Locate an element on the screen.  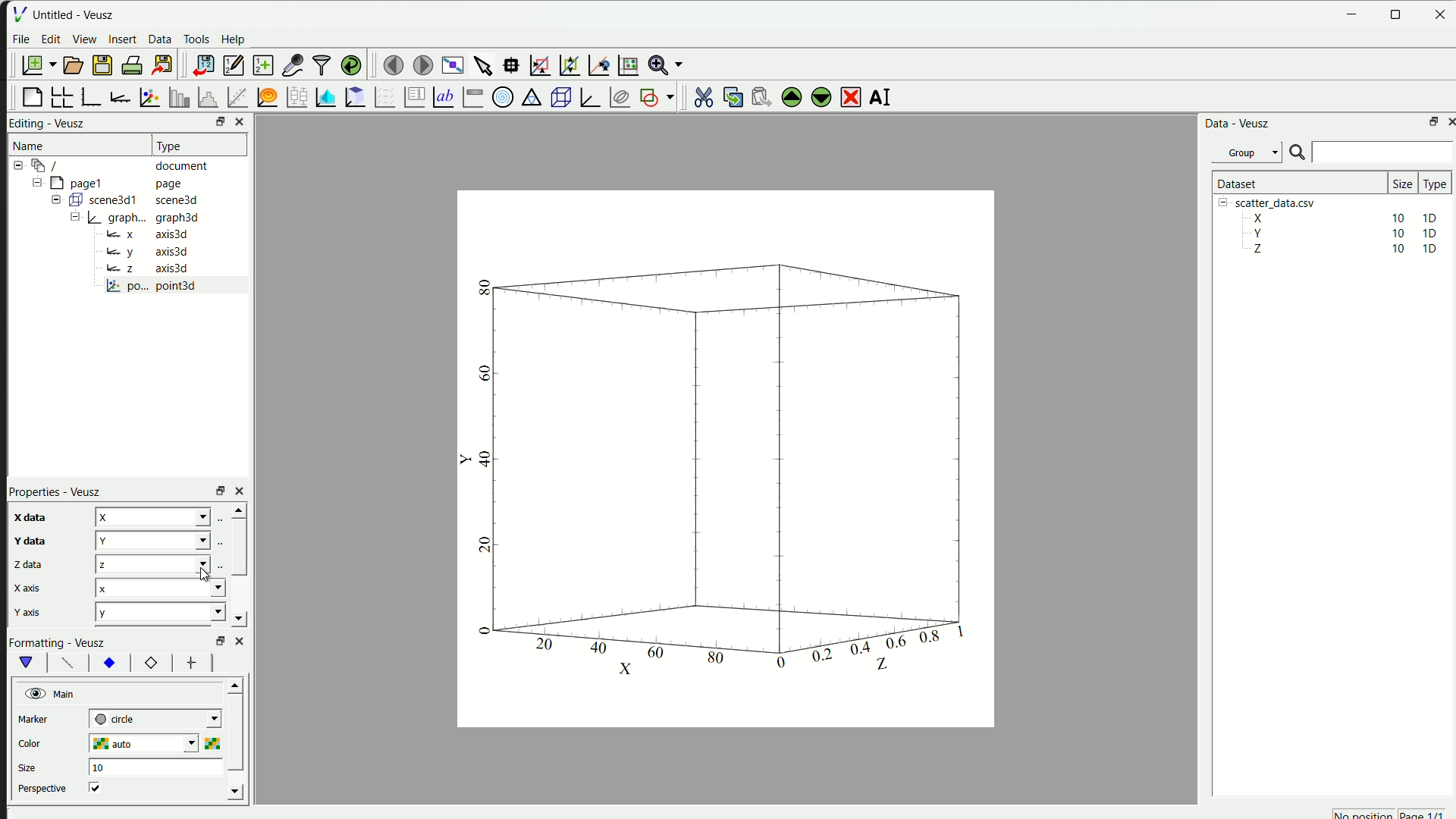
close is located at coordinates (237, 122).